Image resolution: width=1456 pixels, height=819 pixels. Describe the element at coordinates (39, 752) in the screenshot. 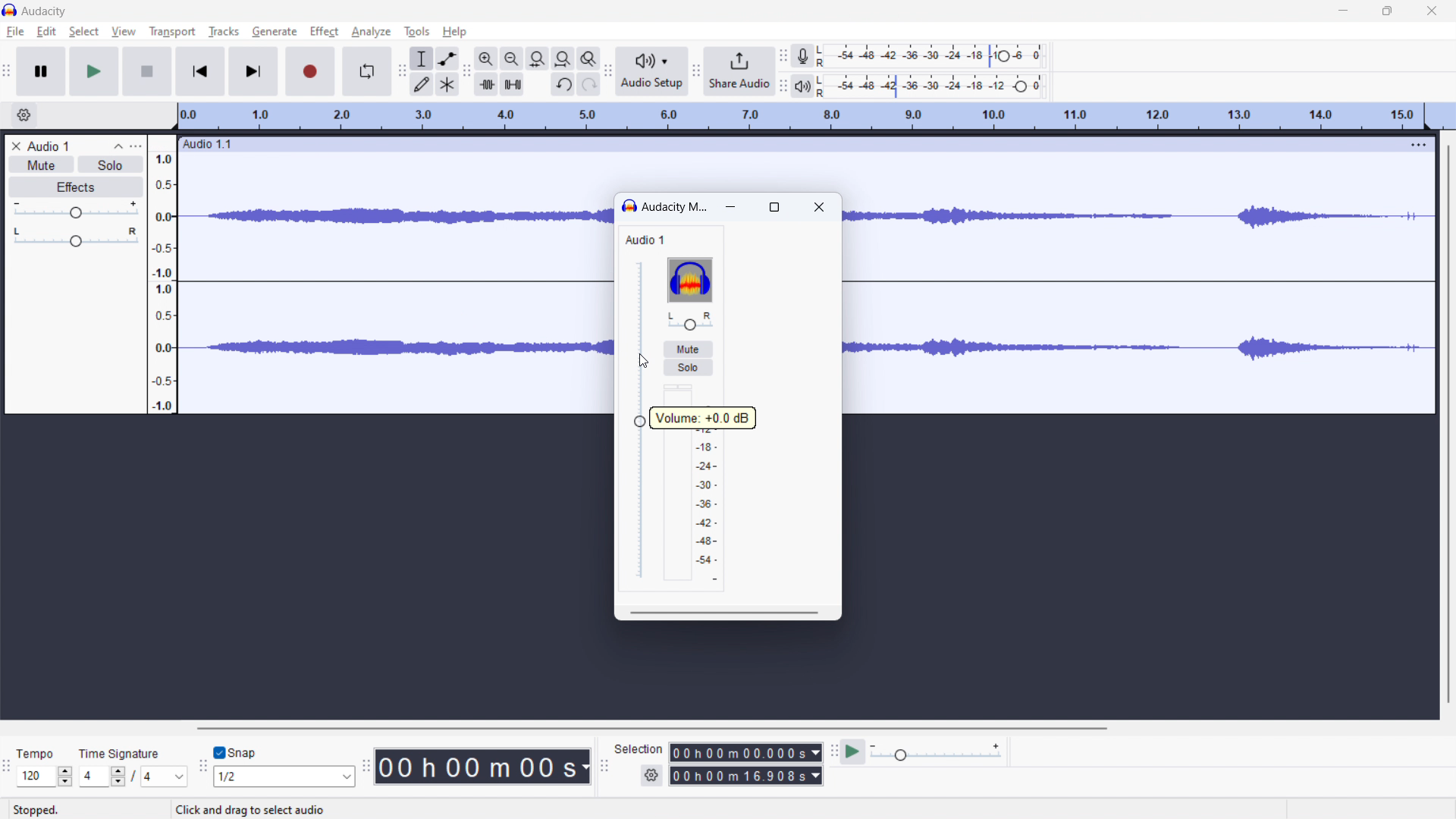

I see `tempo` at that location.